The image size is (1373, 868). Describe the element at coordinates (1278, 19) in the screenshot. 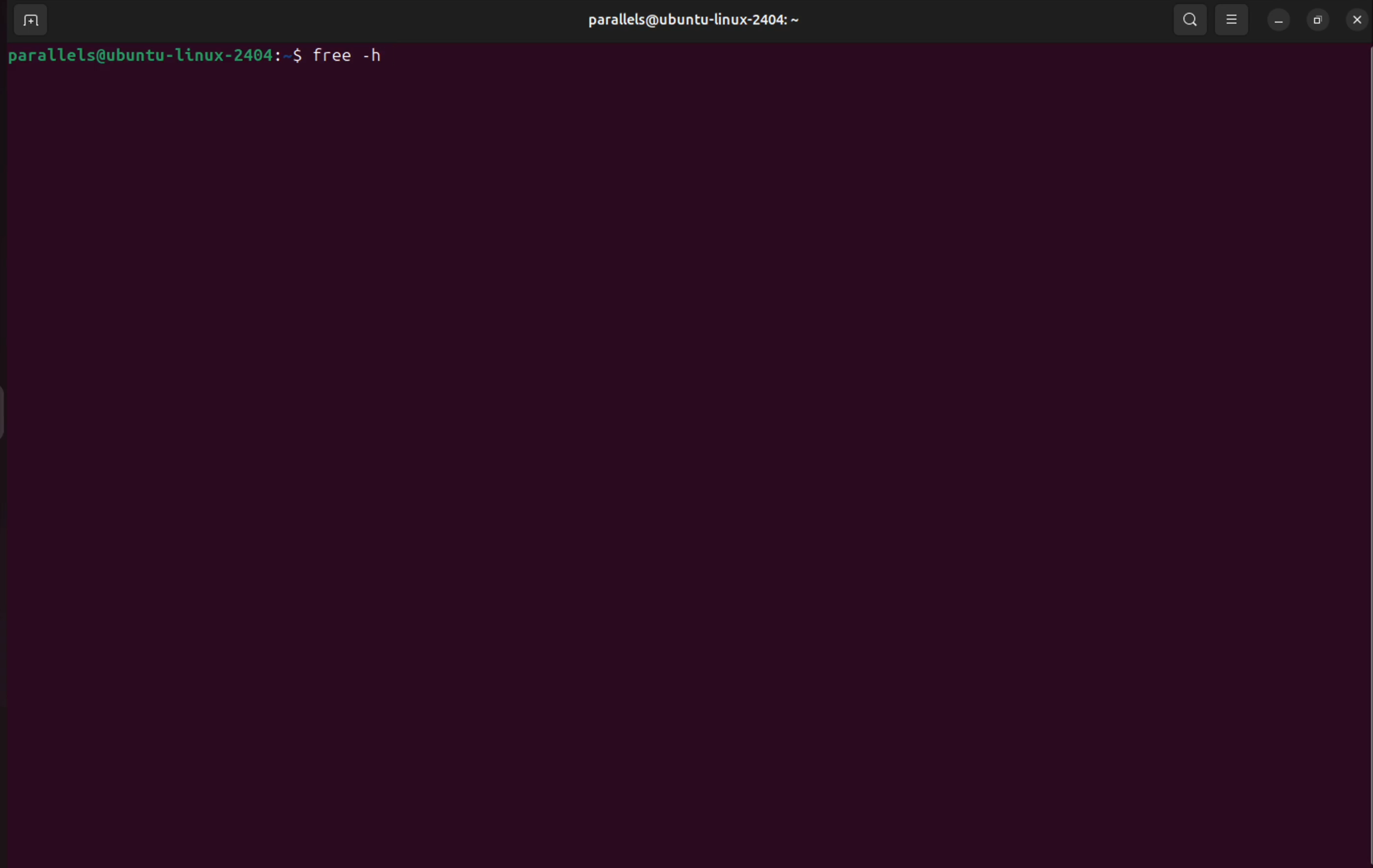

I see `minimize` at that location.